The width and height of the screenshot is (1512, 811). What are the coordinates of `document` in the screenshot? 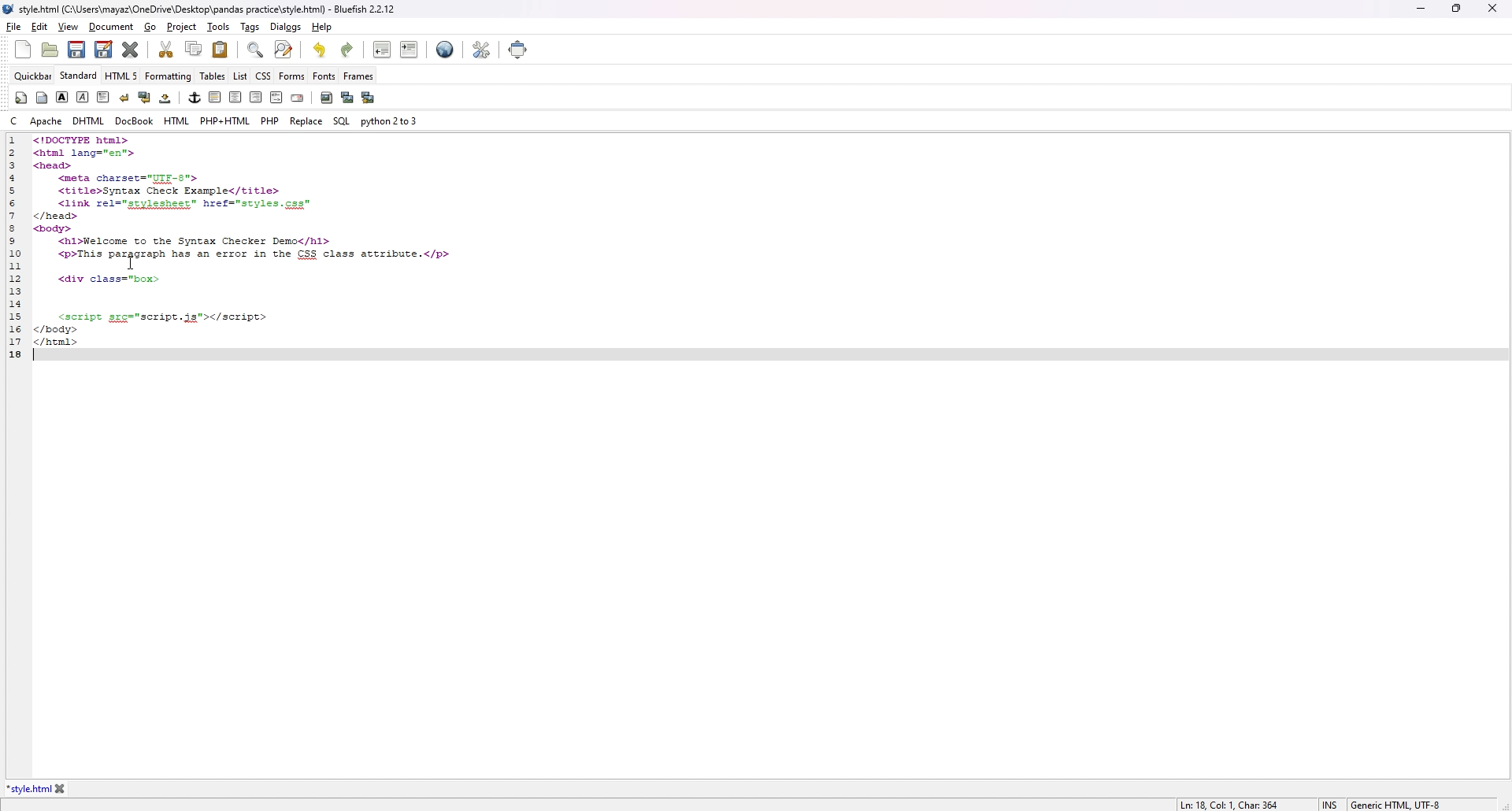 It's located at (111, 27).